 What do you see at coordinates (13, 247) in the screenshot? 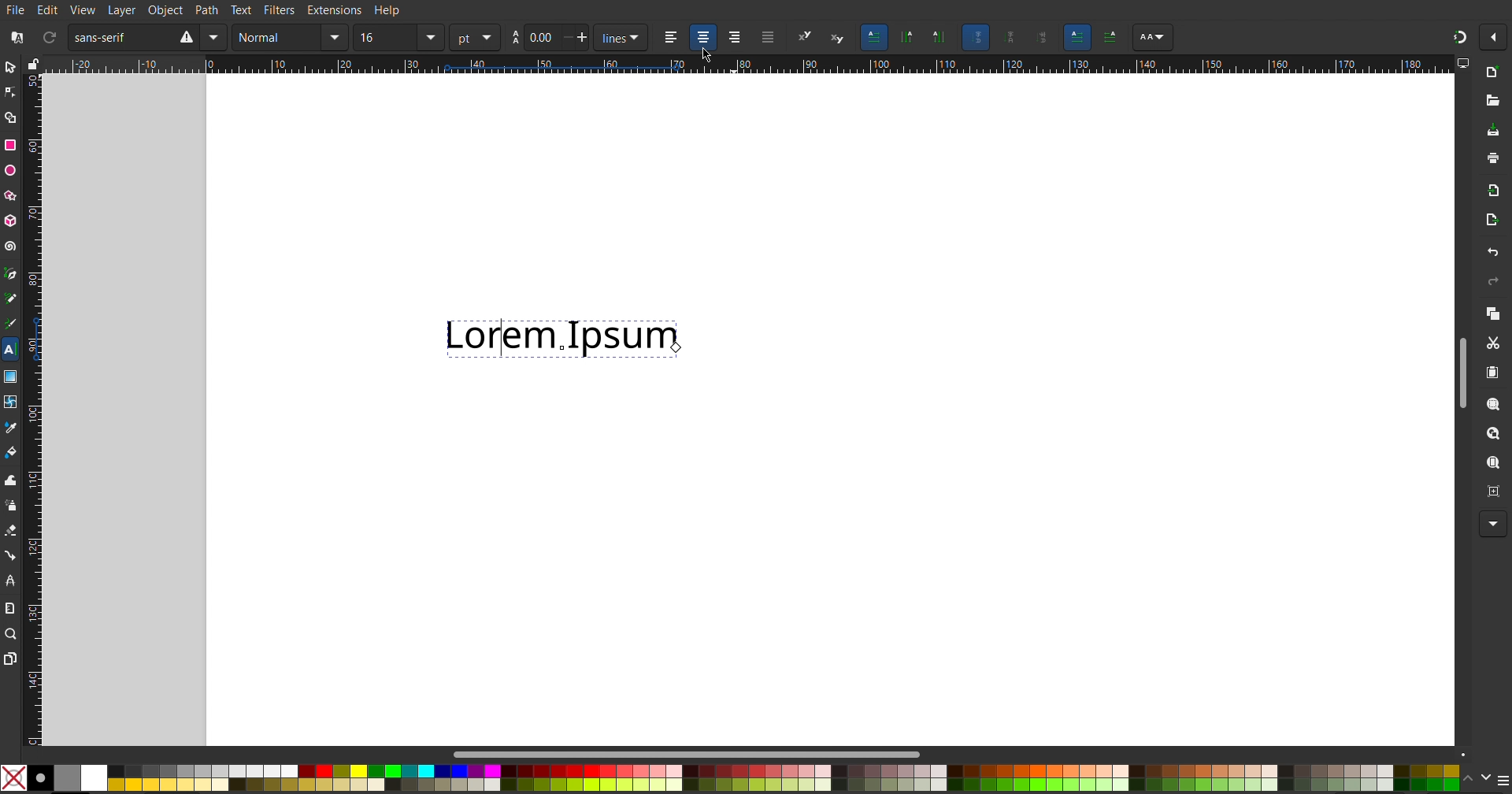
I see `Spiral` at bounding box center [13, 247].